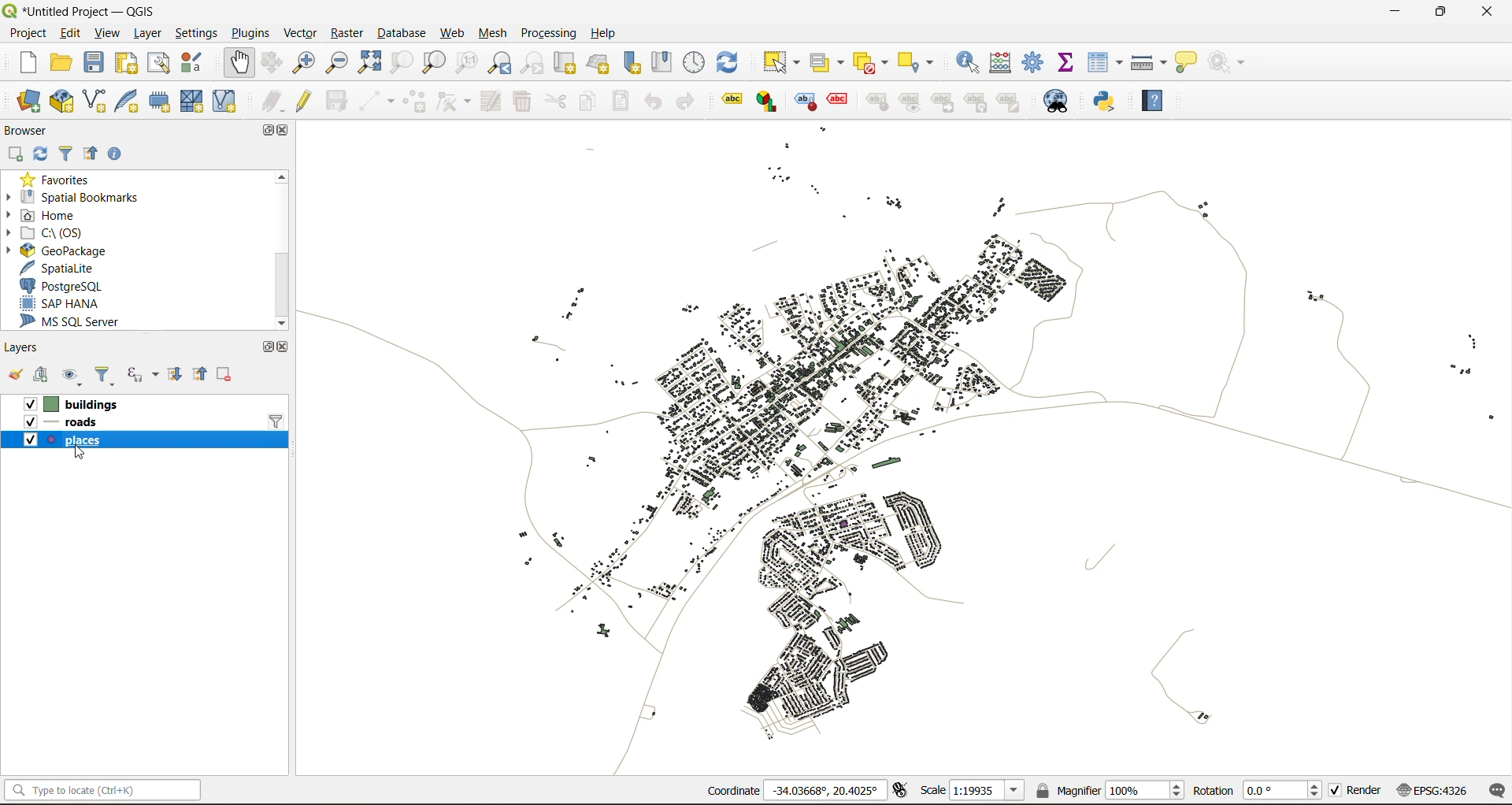 The image size is (1512, 805). Describe the element at coordinates (684, 101) in the screenshot. I see `redo` at that location.